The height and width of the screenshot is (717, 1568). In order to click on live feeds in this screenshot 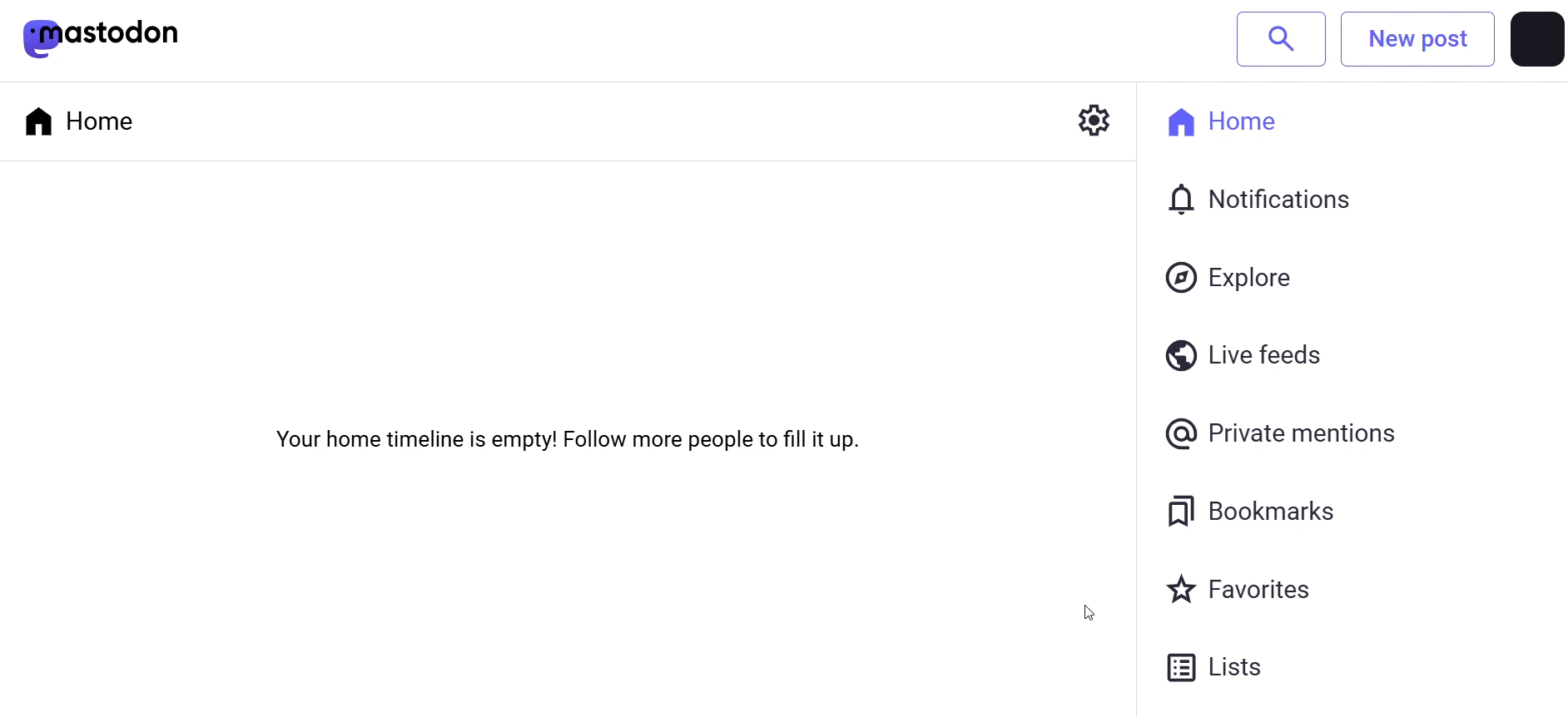, I will do `click(1248, 349)`.